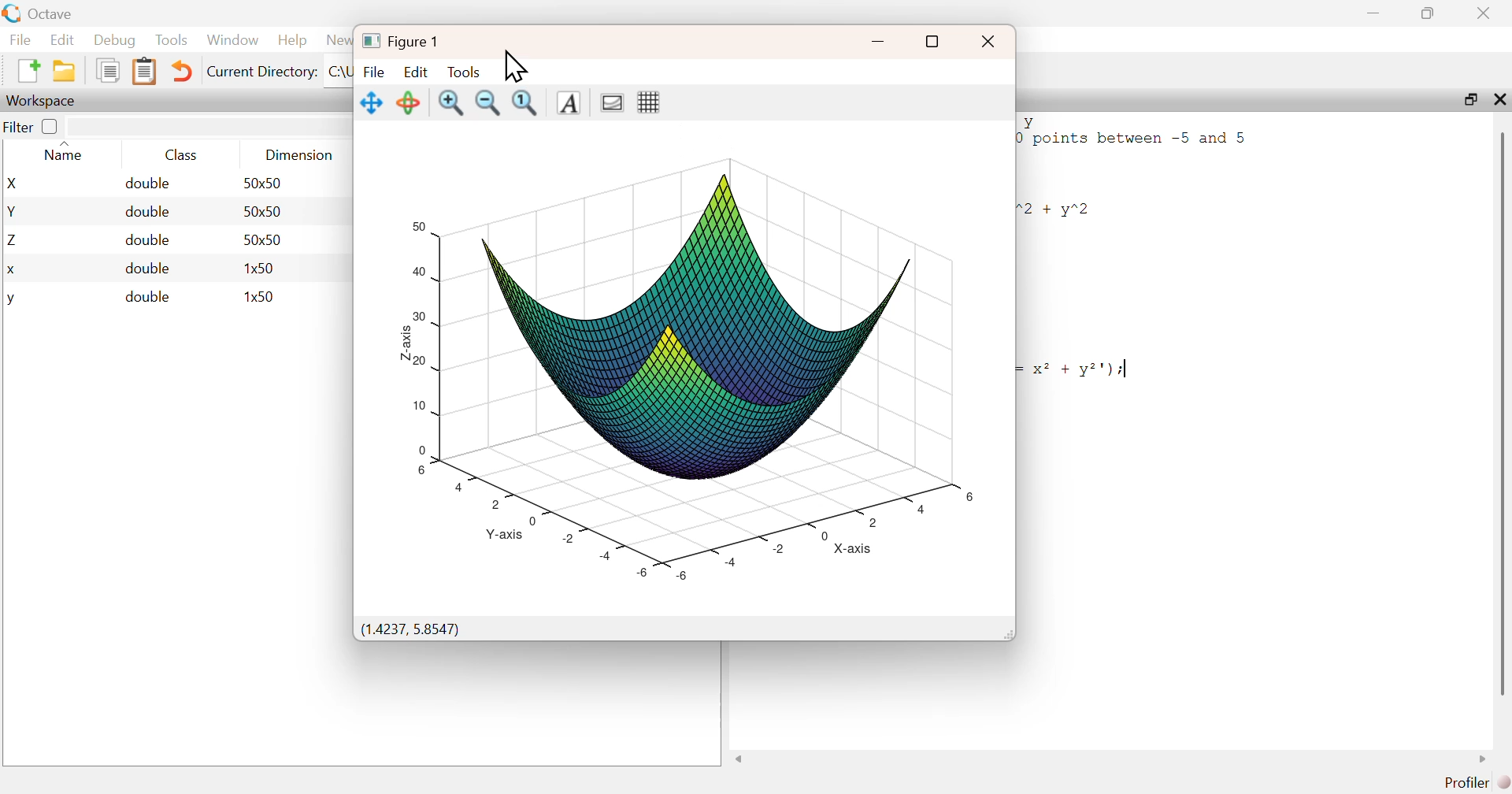 This screenshot has height=794, width=1512. Describe the element at coordinates (13, 14) in the screenshot. I see `Logo` at that location.